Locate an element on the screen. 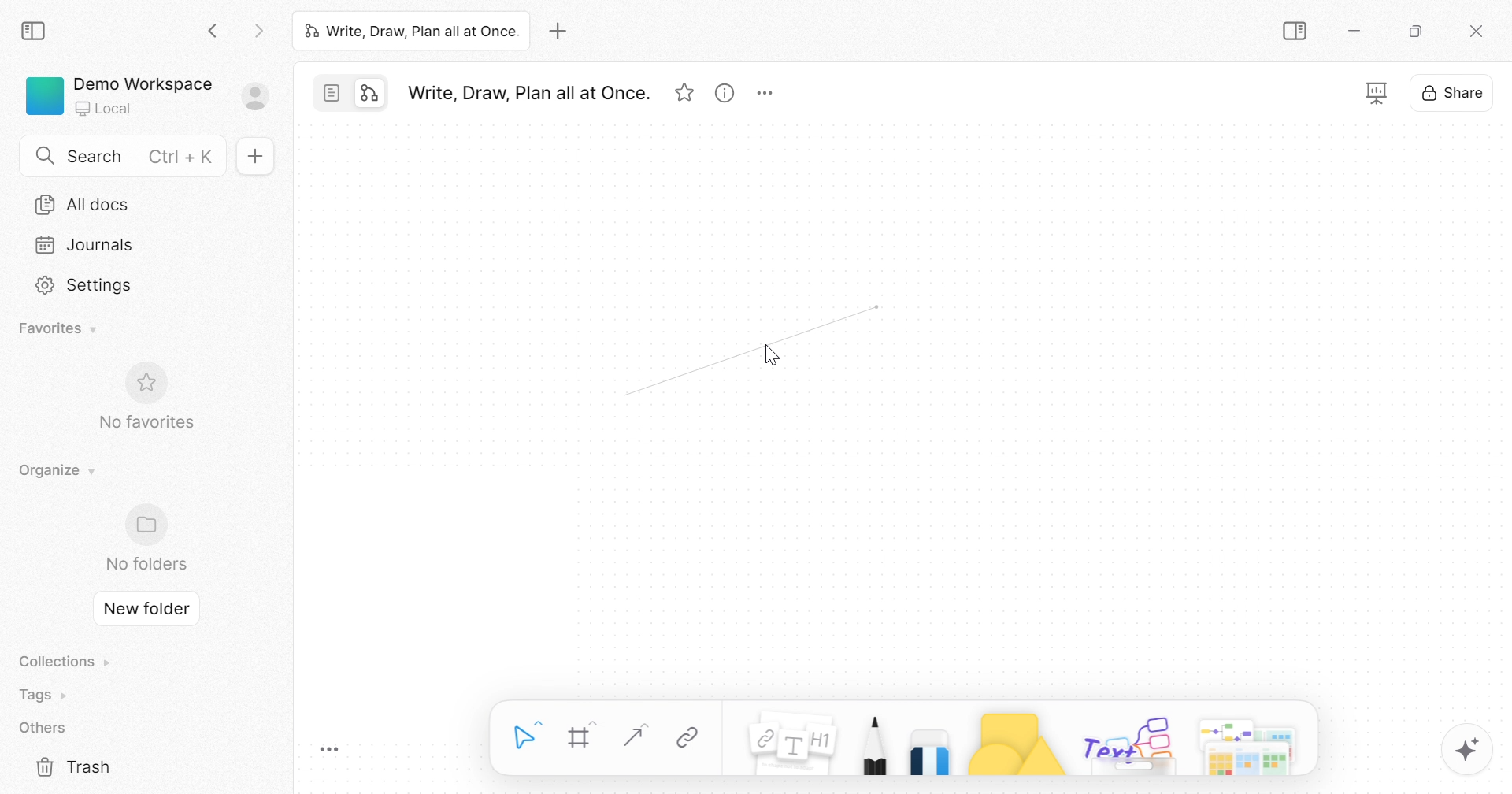 This screenshot has height=794, width=1512. Journals is located at coordinates (80, 244).